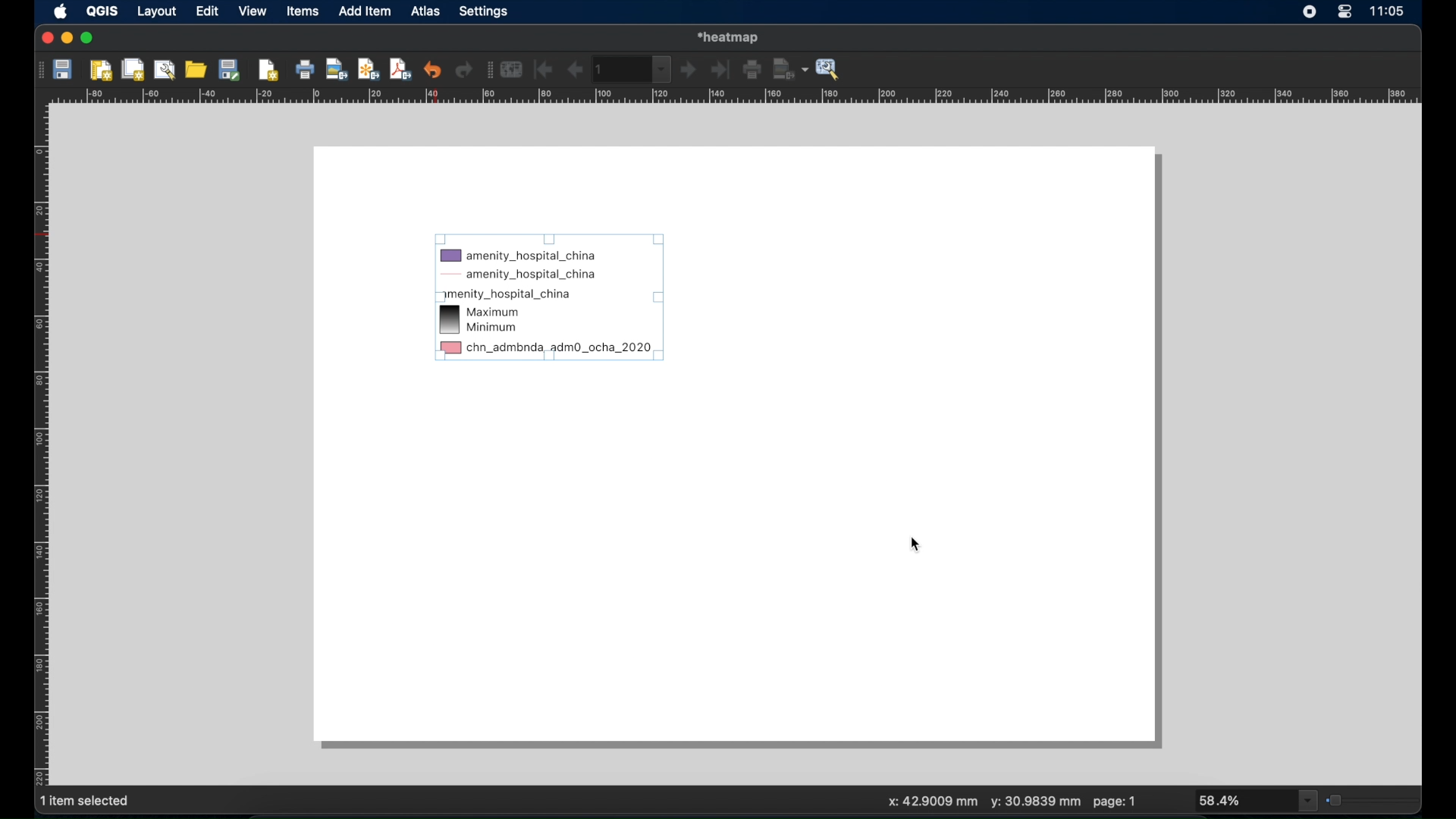 This screenshot has height=819, width=1456. Describe the element at coordinates (134, 69) in the screenshot. I see `duplicate layout` at that location.